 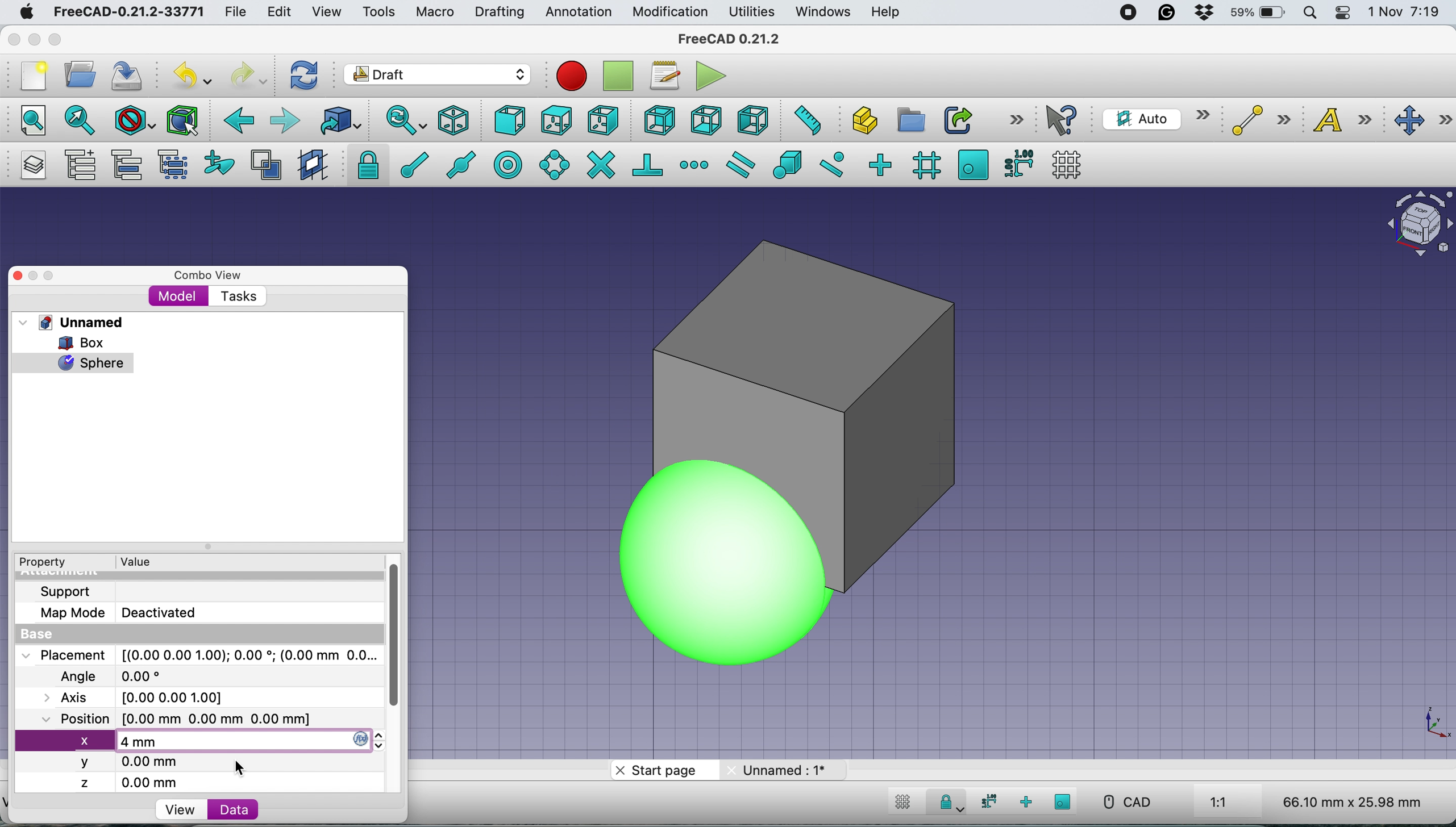 What do you see at coordinates (946, 804) in the screenshot?
I see `snap lock` at bounding box center [946, 804].